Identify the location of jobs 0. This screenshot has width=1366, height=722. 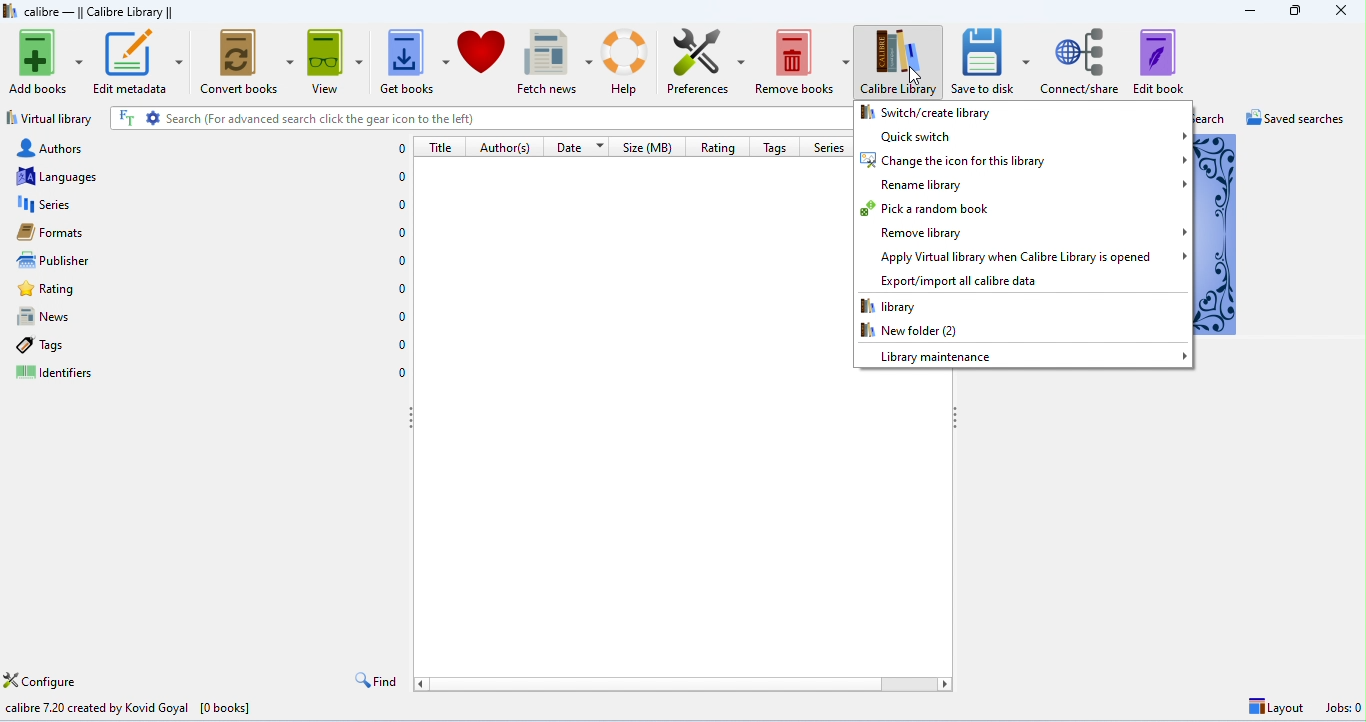
(1340, 709).